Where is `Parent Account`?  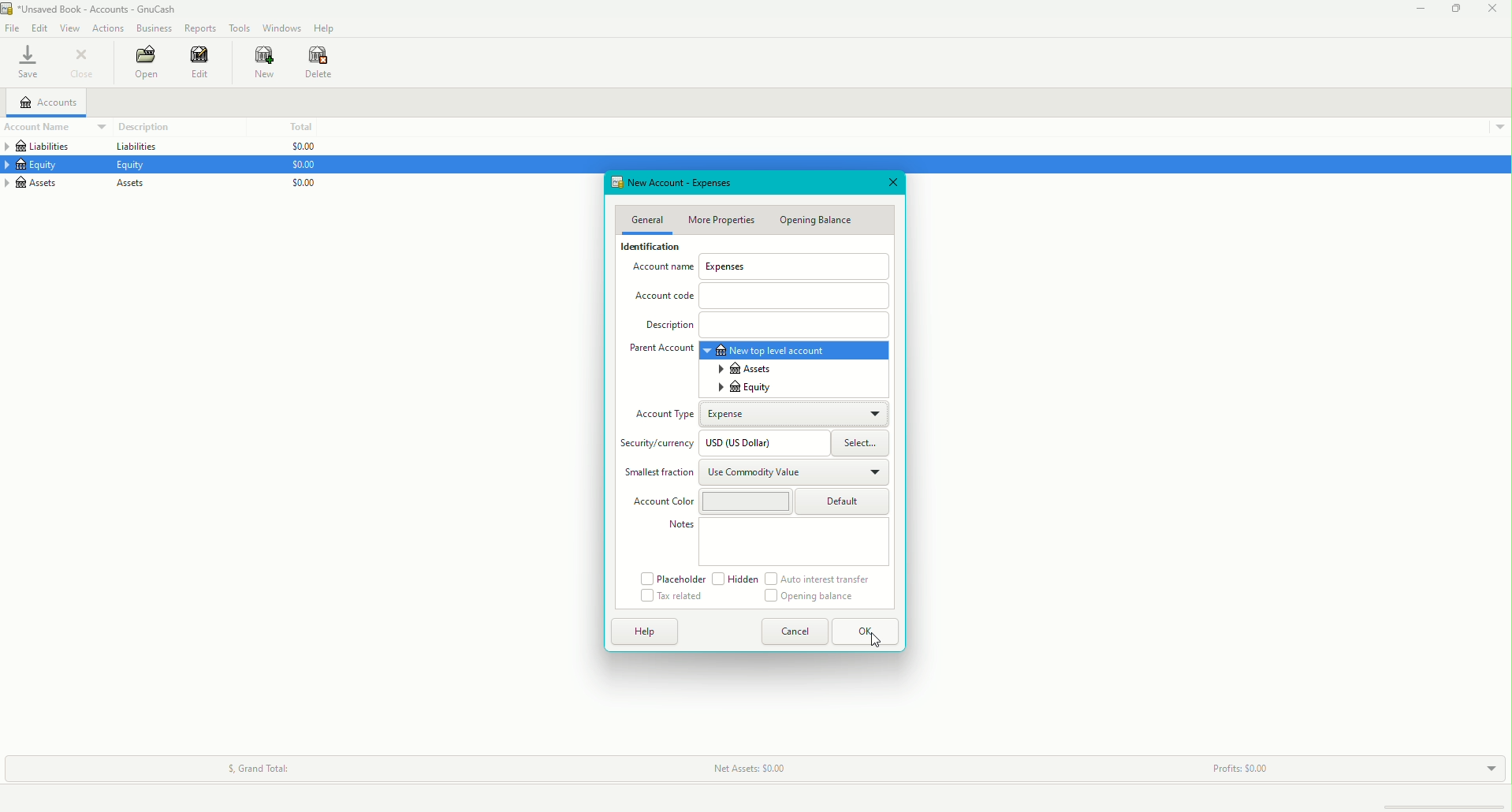 Parent Account is located at coordinates (663, 352).